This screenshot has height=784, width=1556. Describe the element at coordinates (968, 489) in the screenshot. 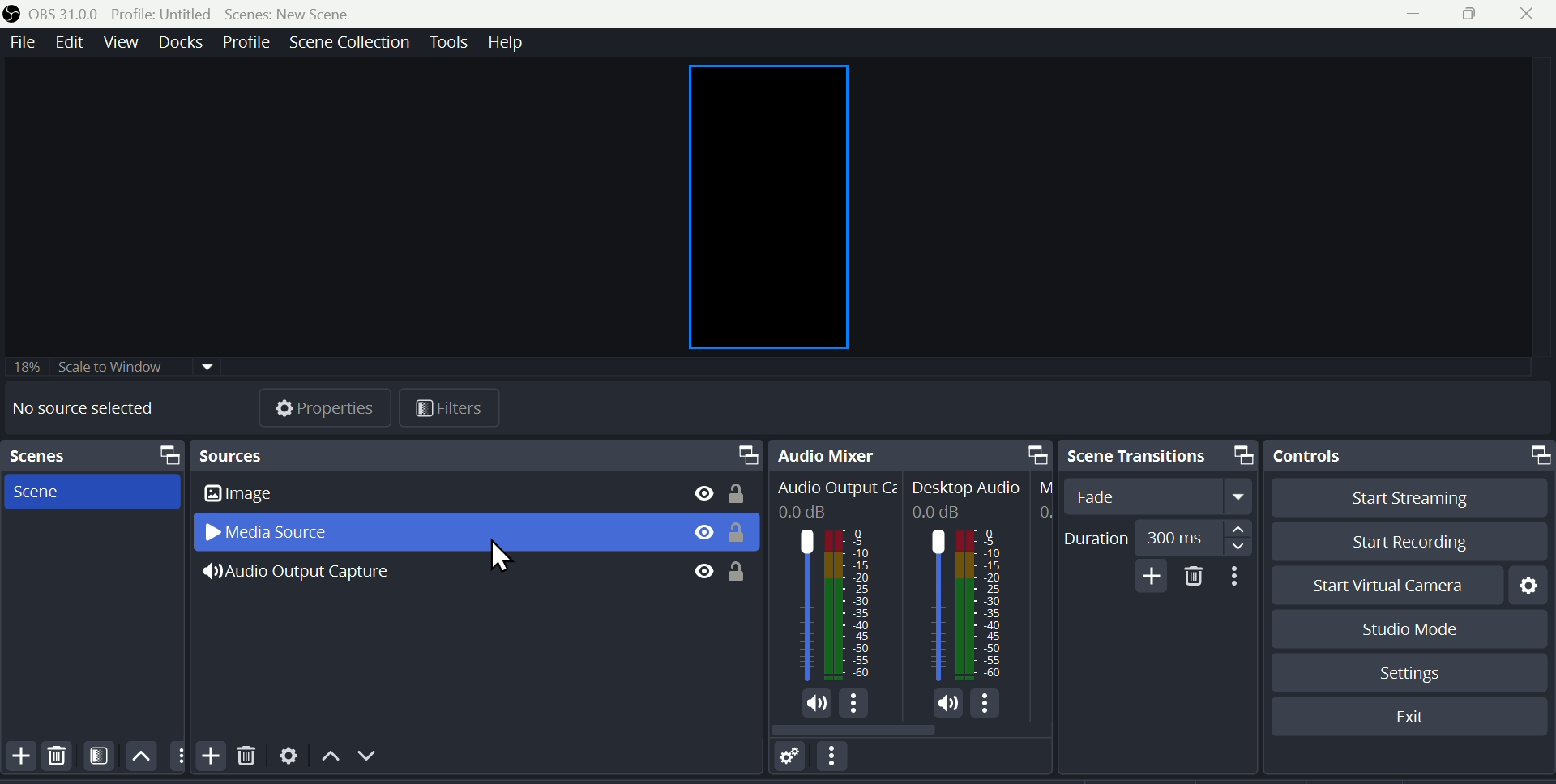

I see `Desktop Audio` at that location.